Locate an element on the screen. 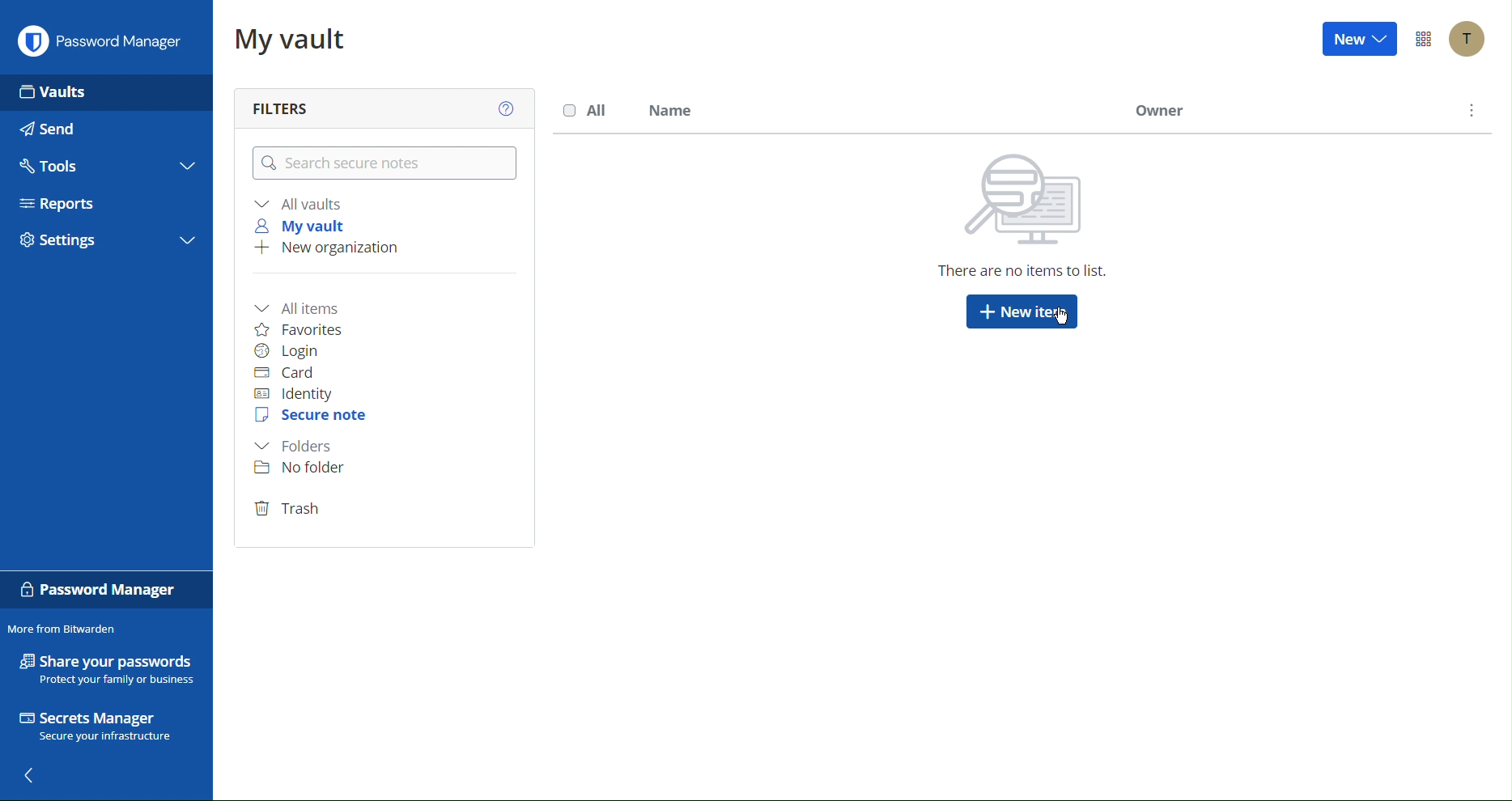 This screenshot has height=801, width=1512. All is located at coordinates (579, 114).